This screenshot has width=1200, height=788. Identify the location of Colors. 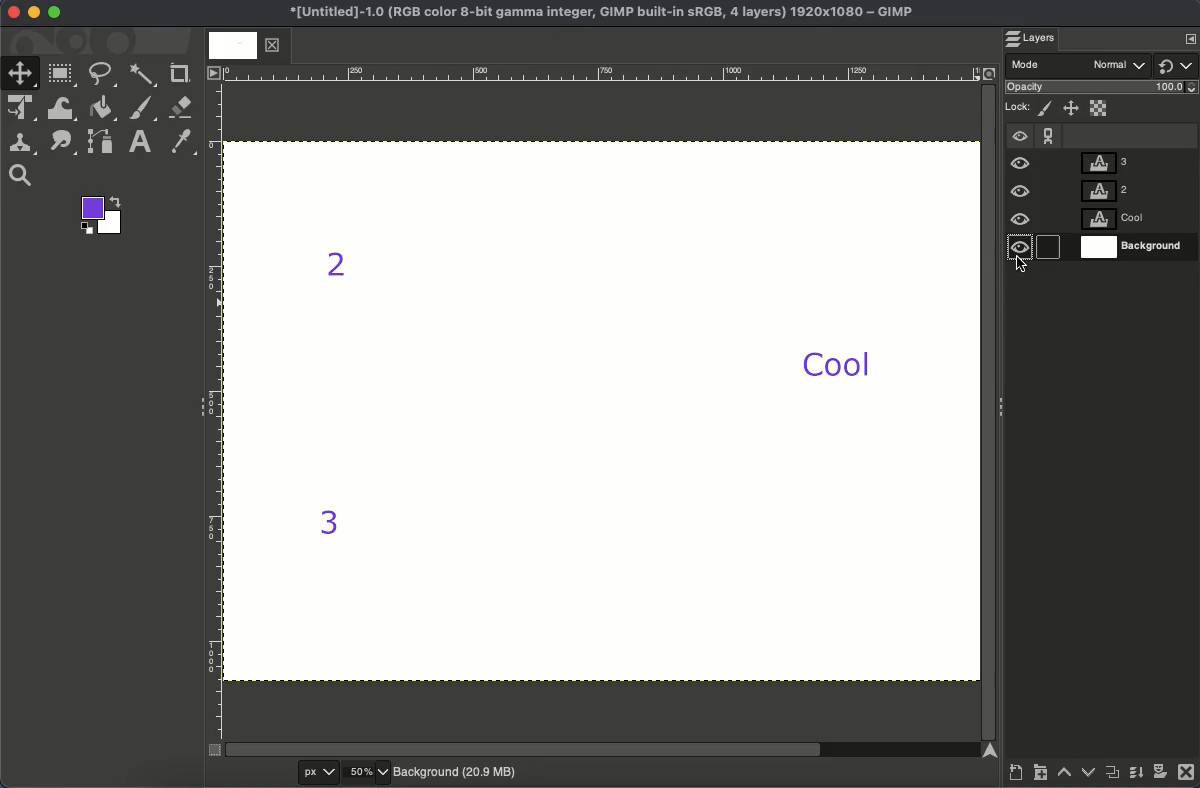
(104, 217).